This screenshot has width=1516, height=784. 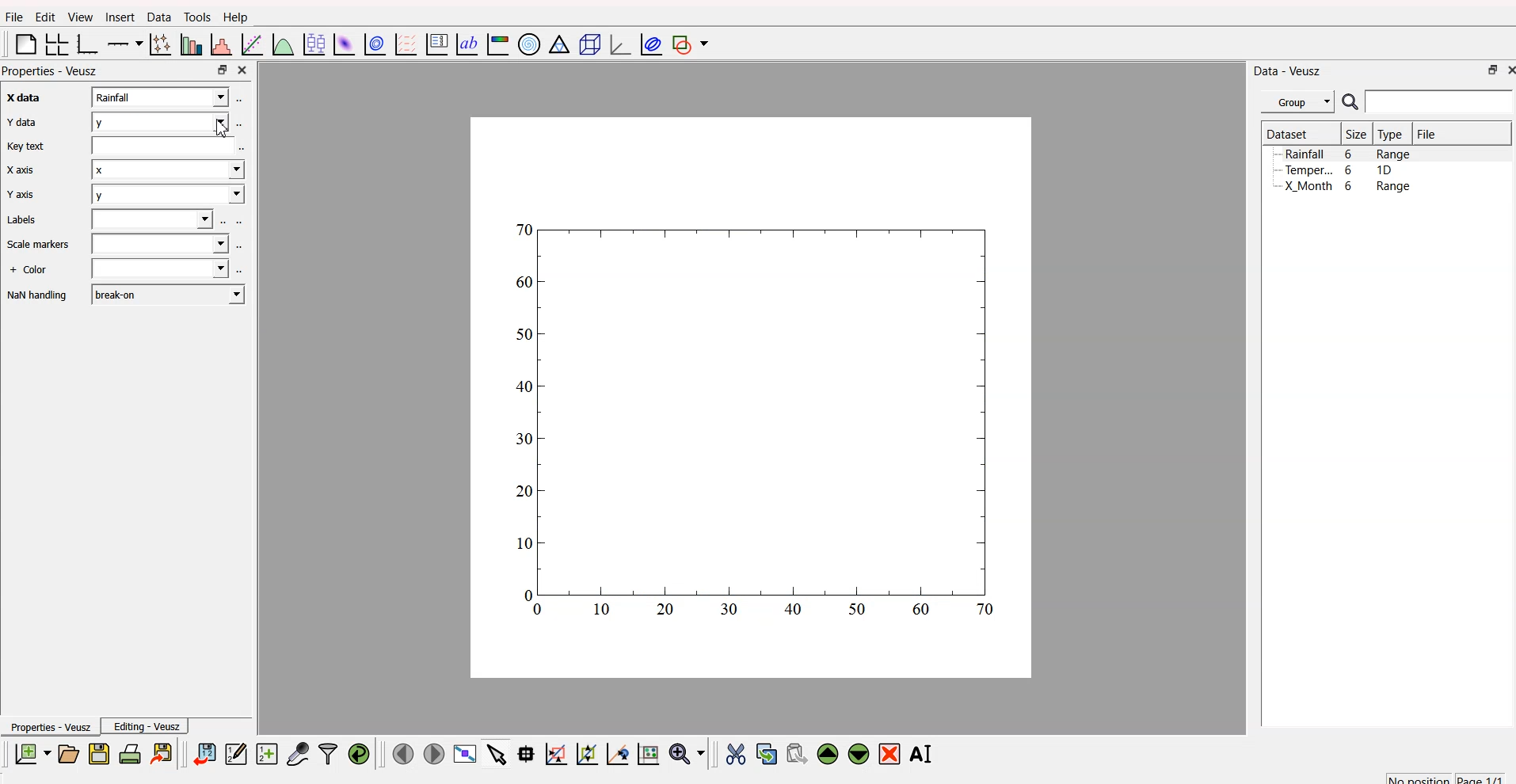 I want to click on maximize, so click(x=1488, y=72).